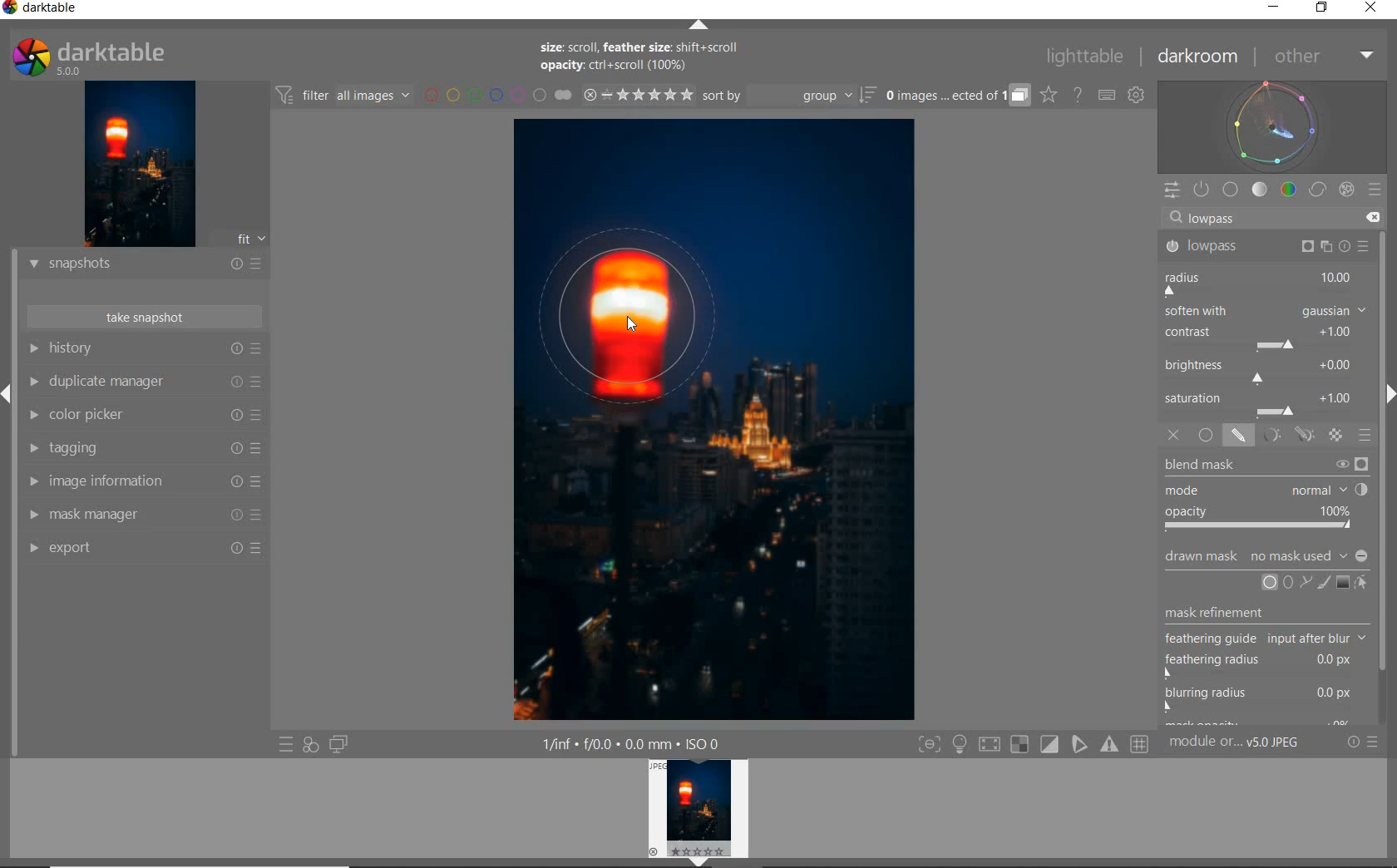 Image resolution: width=1397 pixels, height=868 pixels. Describe the element at coordinates (144, 515) in the screenshot. I see `MASK MANAGER` at that location.